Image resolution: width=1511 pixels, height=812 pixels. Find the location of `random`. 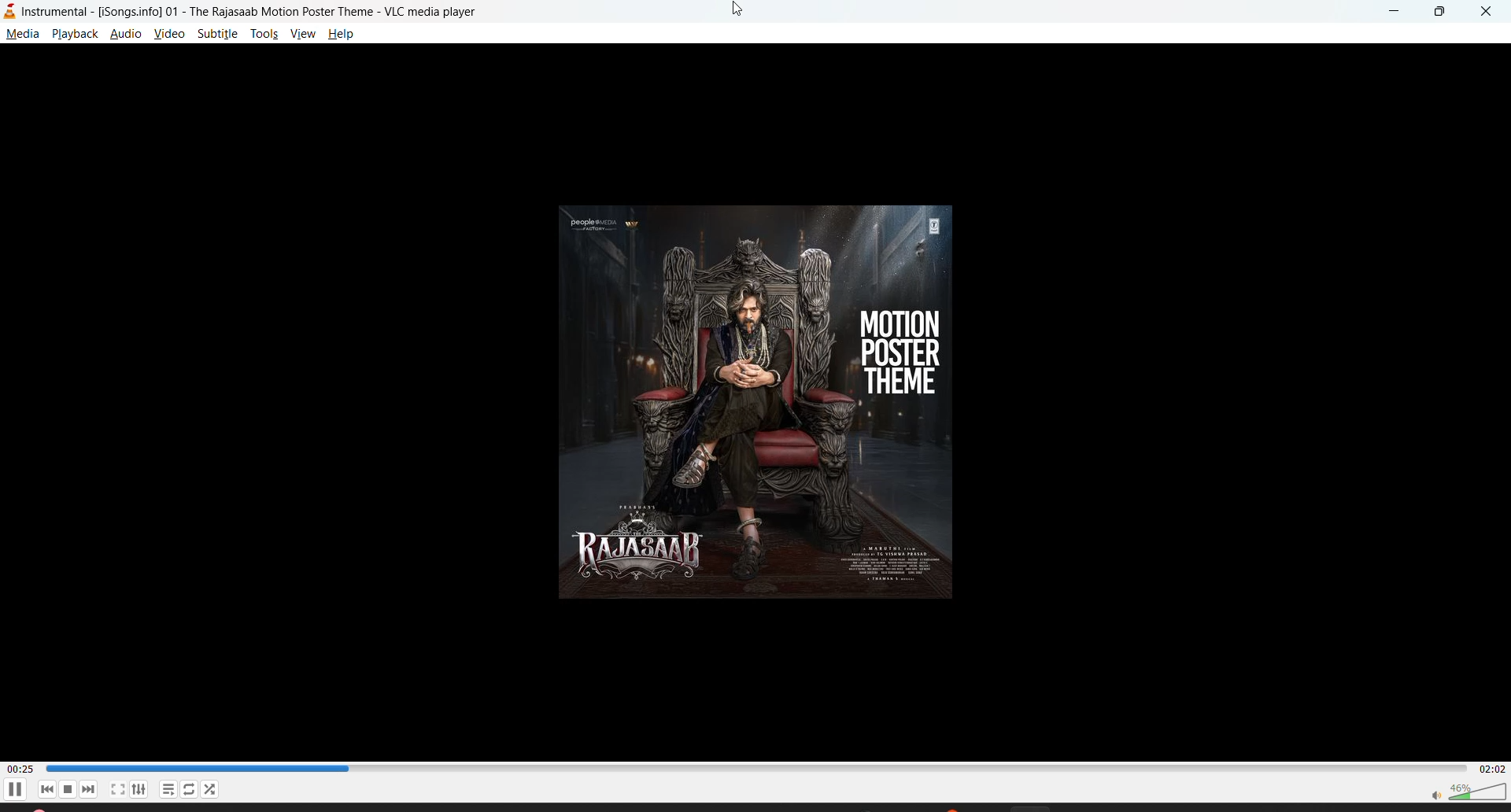

random is located at coordinates (210, 788).